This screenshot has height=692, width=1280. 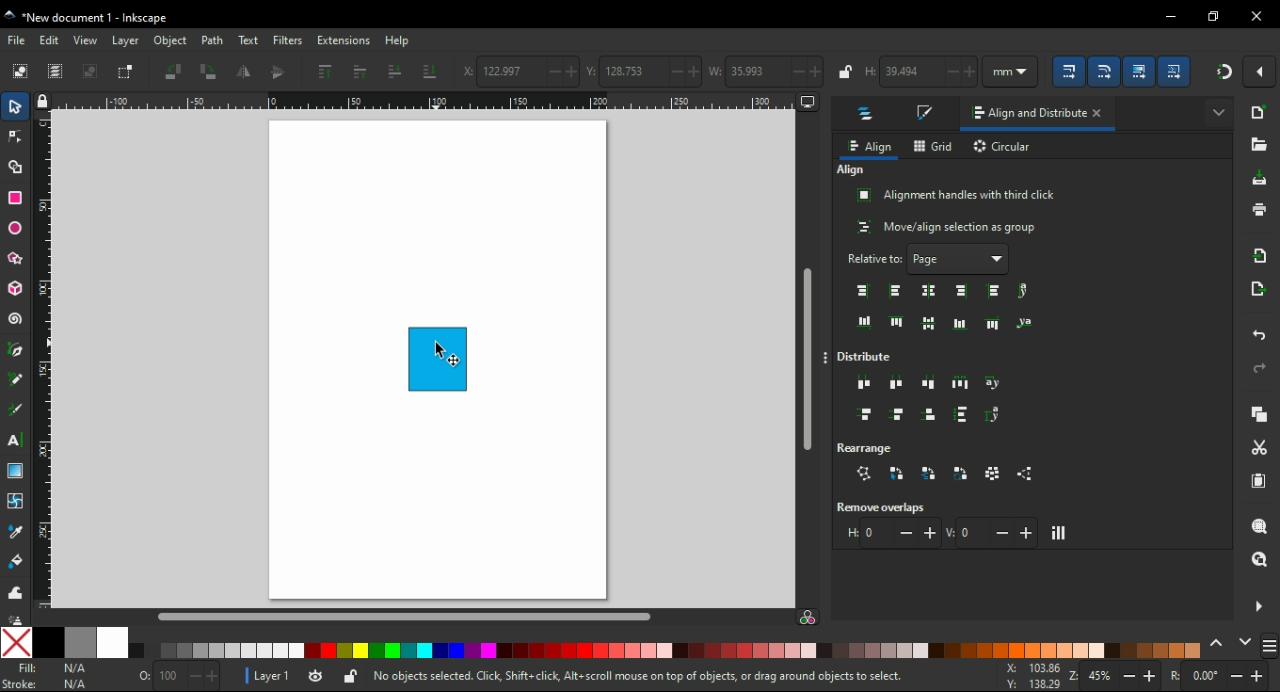 What do you see at coordinates (1026, 290) in the screenshot?
I see `align text anchors vertically` at bounding box center [1026, 290].